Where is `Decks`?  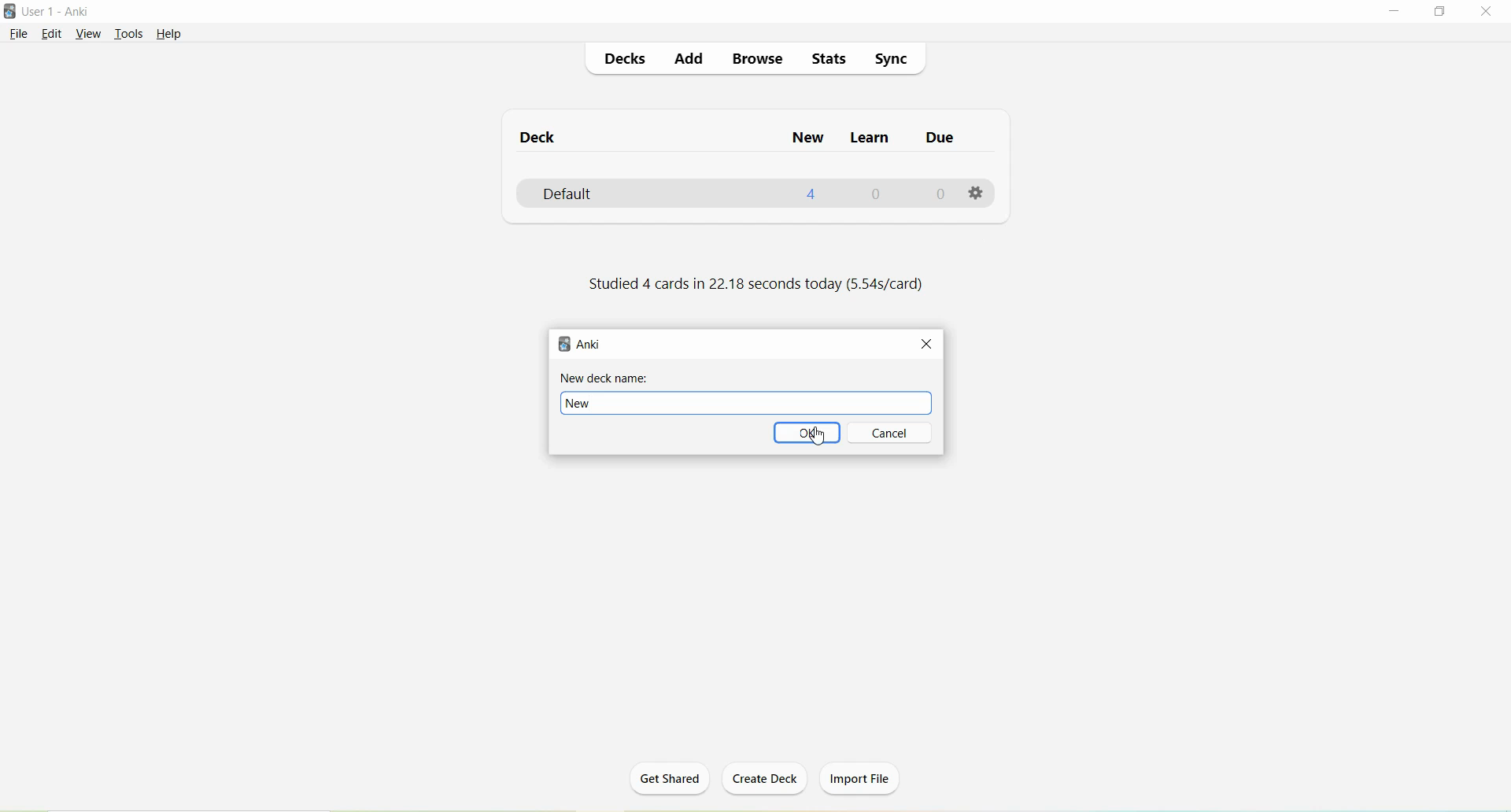 Decks is located at coordinates (624, 60).